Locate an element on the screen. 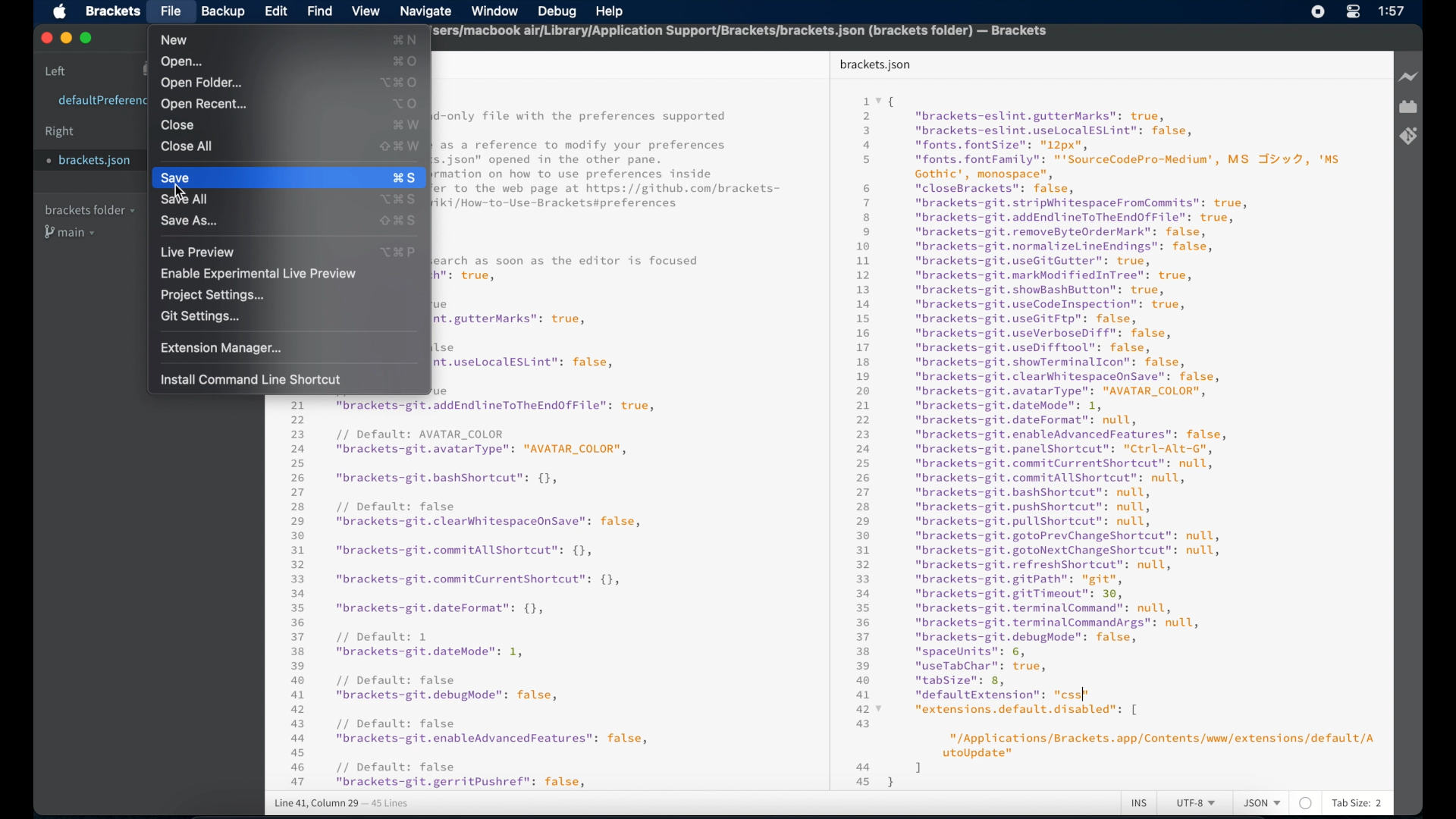 The width and height of the screenshot is (1456, 819). extension manager... is located at coordinates (221, 348).